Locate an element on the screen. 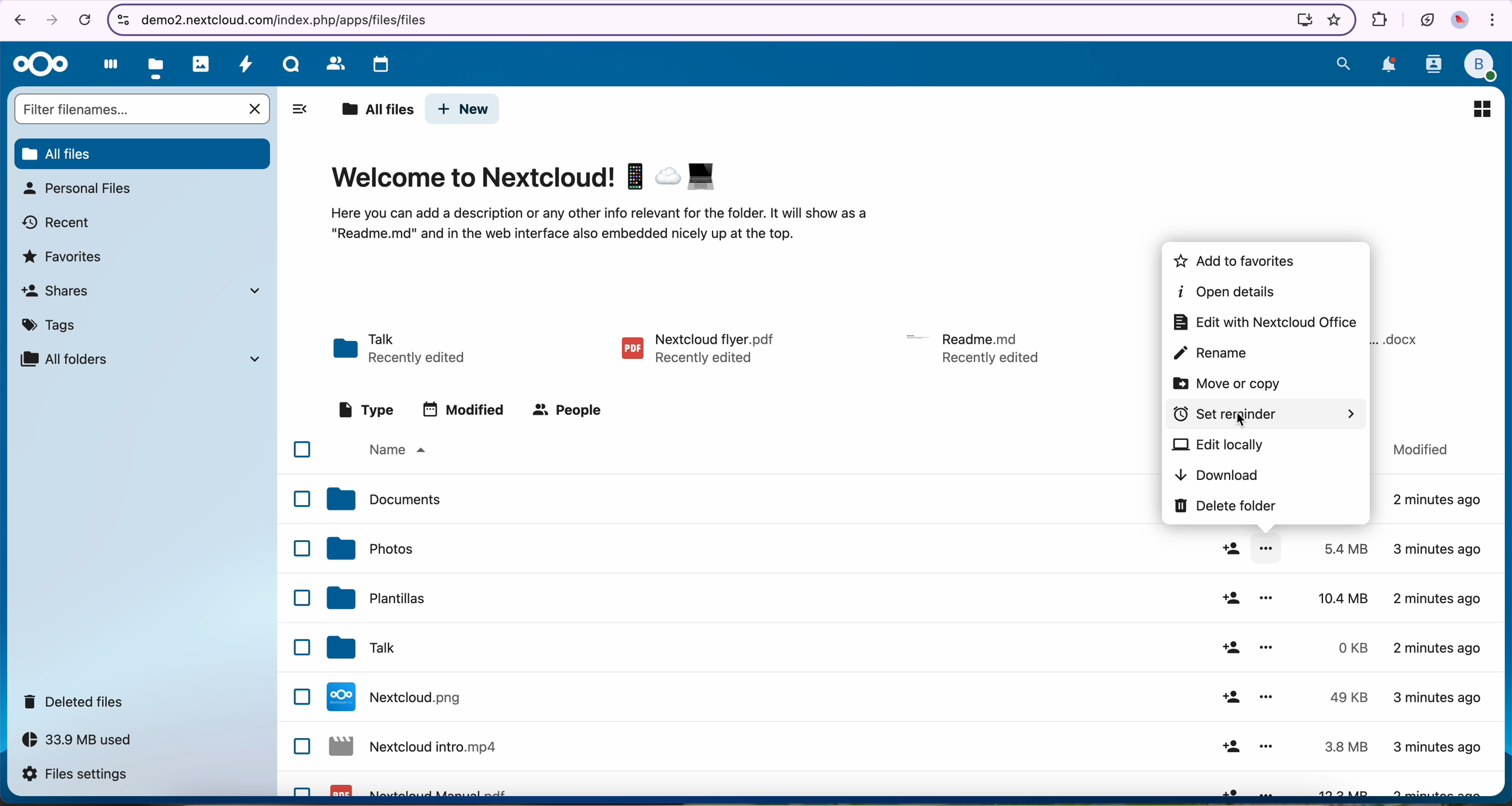  icon view is located at coordinates (1481, 109).